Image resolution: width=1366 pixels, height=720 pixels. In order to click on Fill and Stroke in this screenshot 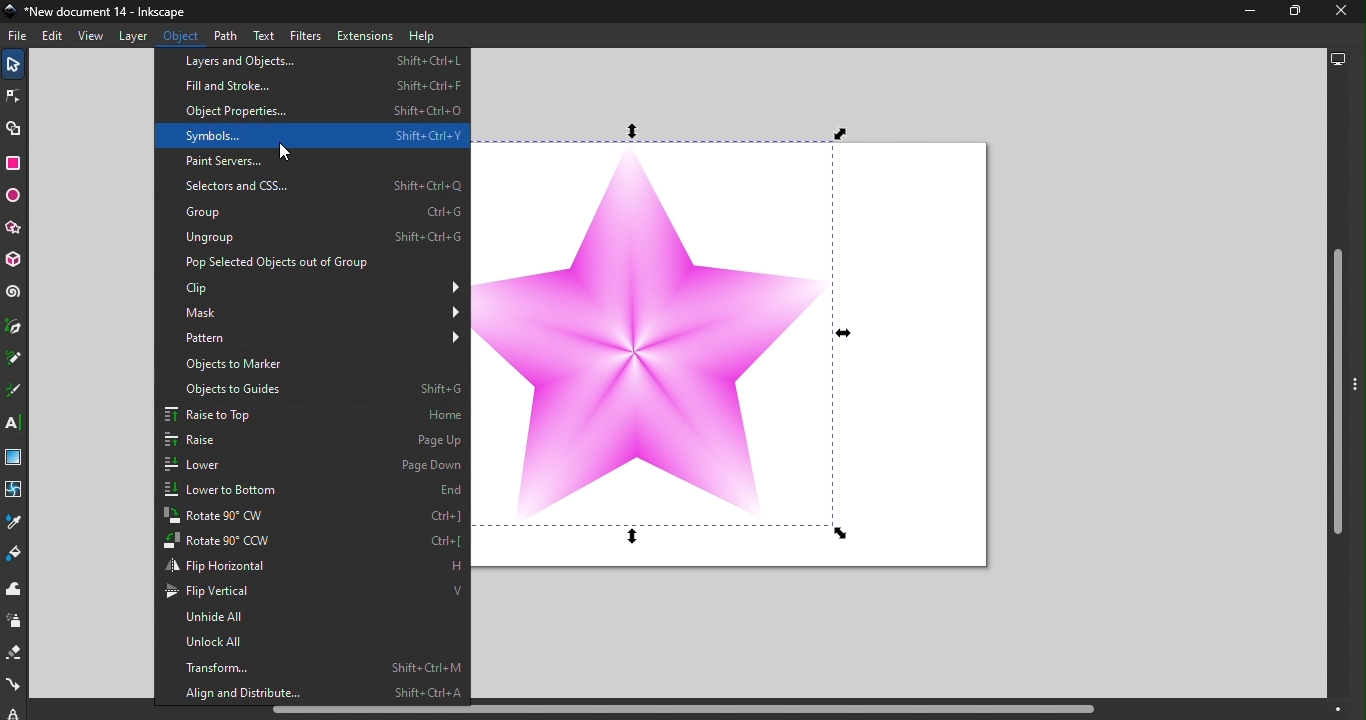, I will do `click(312, 87)`.